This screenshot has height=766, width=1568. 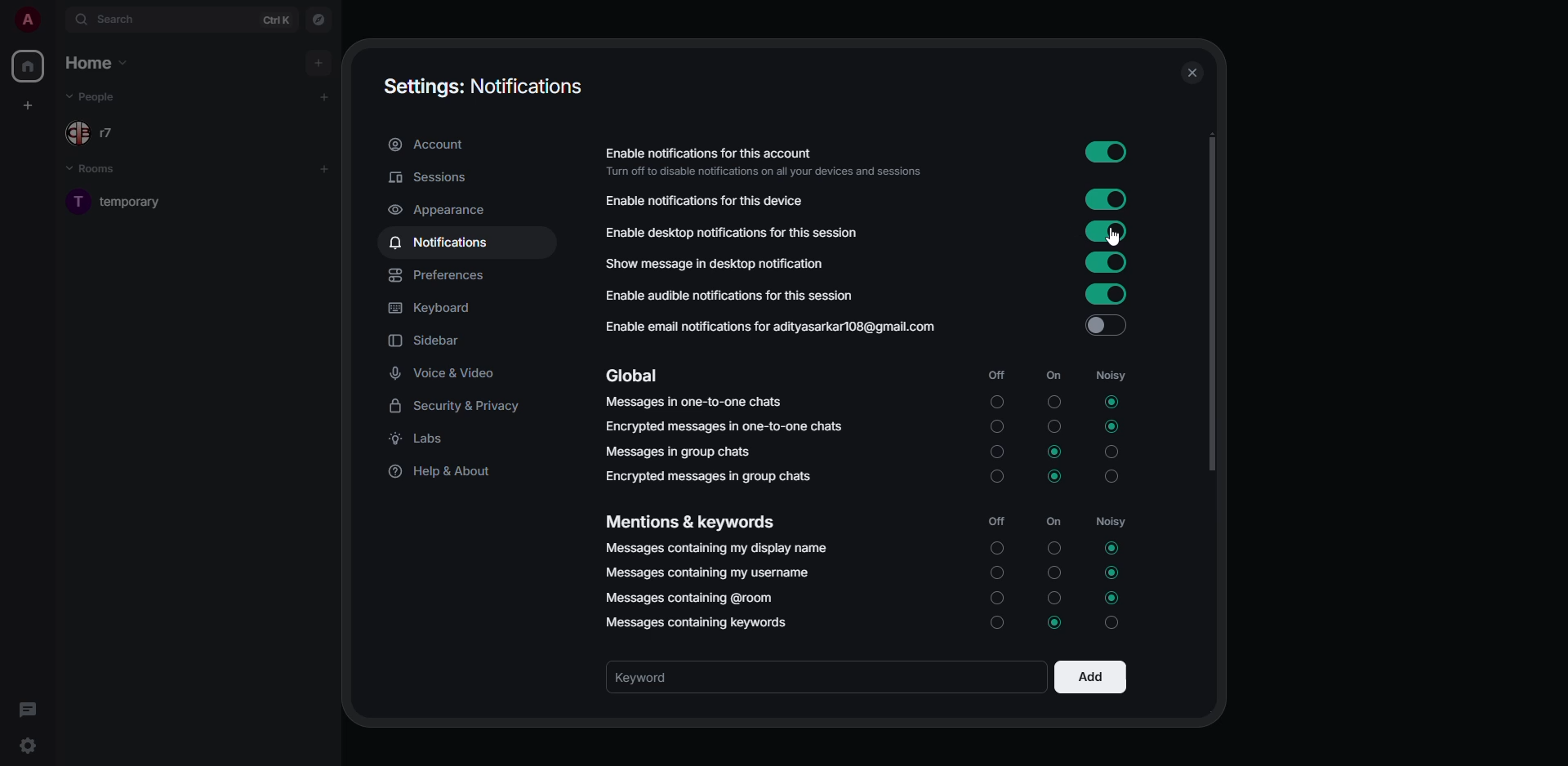 I want to click on selected, so click(x=1055, y=453).